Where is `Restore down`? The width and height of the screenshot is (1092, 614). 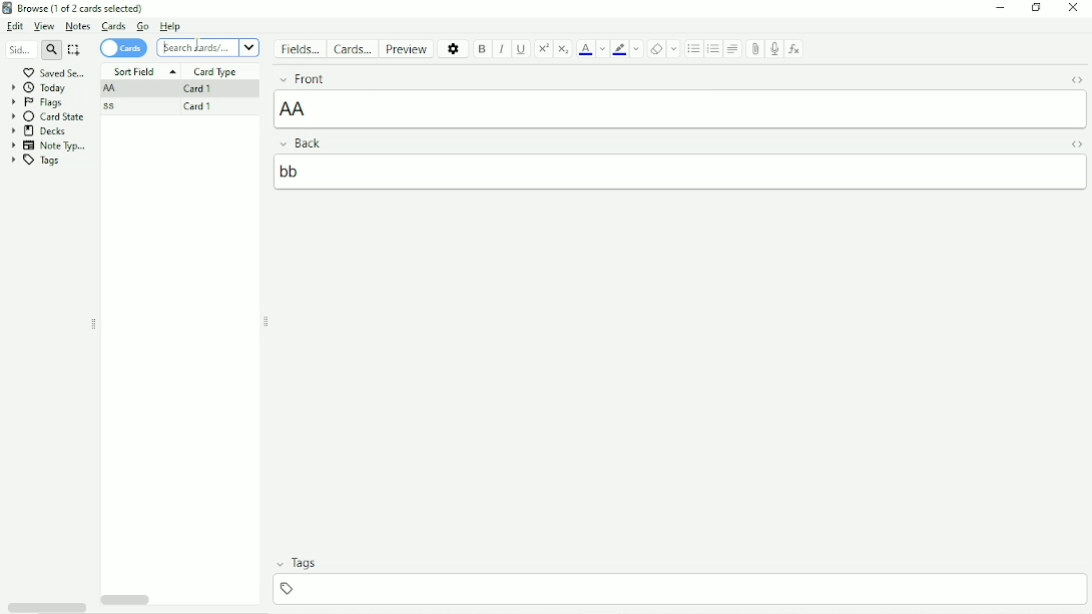 Restore down is located at coordinates (1038, 8).